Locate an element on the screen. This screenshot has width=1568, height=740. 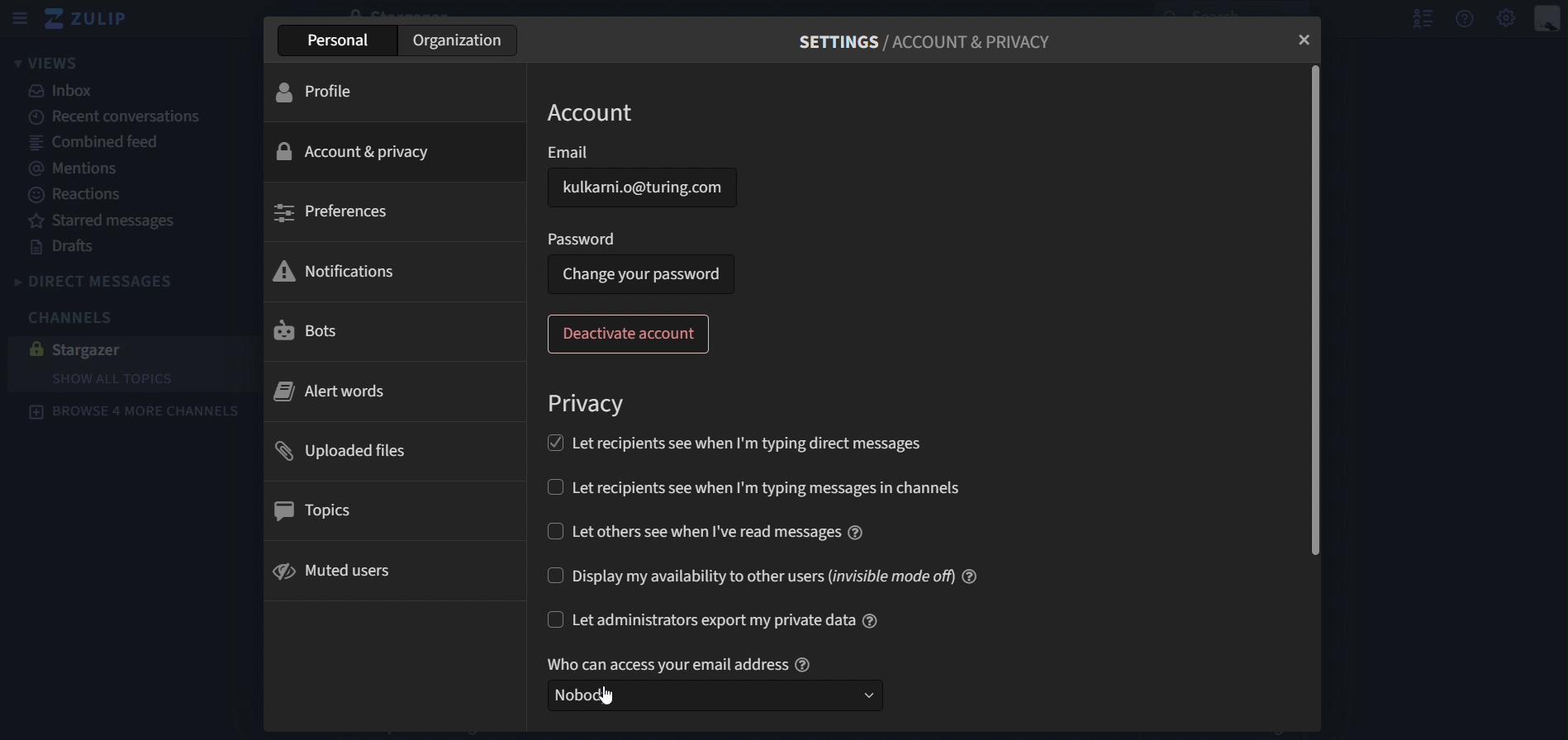
stargazer is located at coordinates (96, 349).